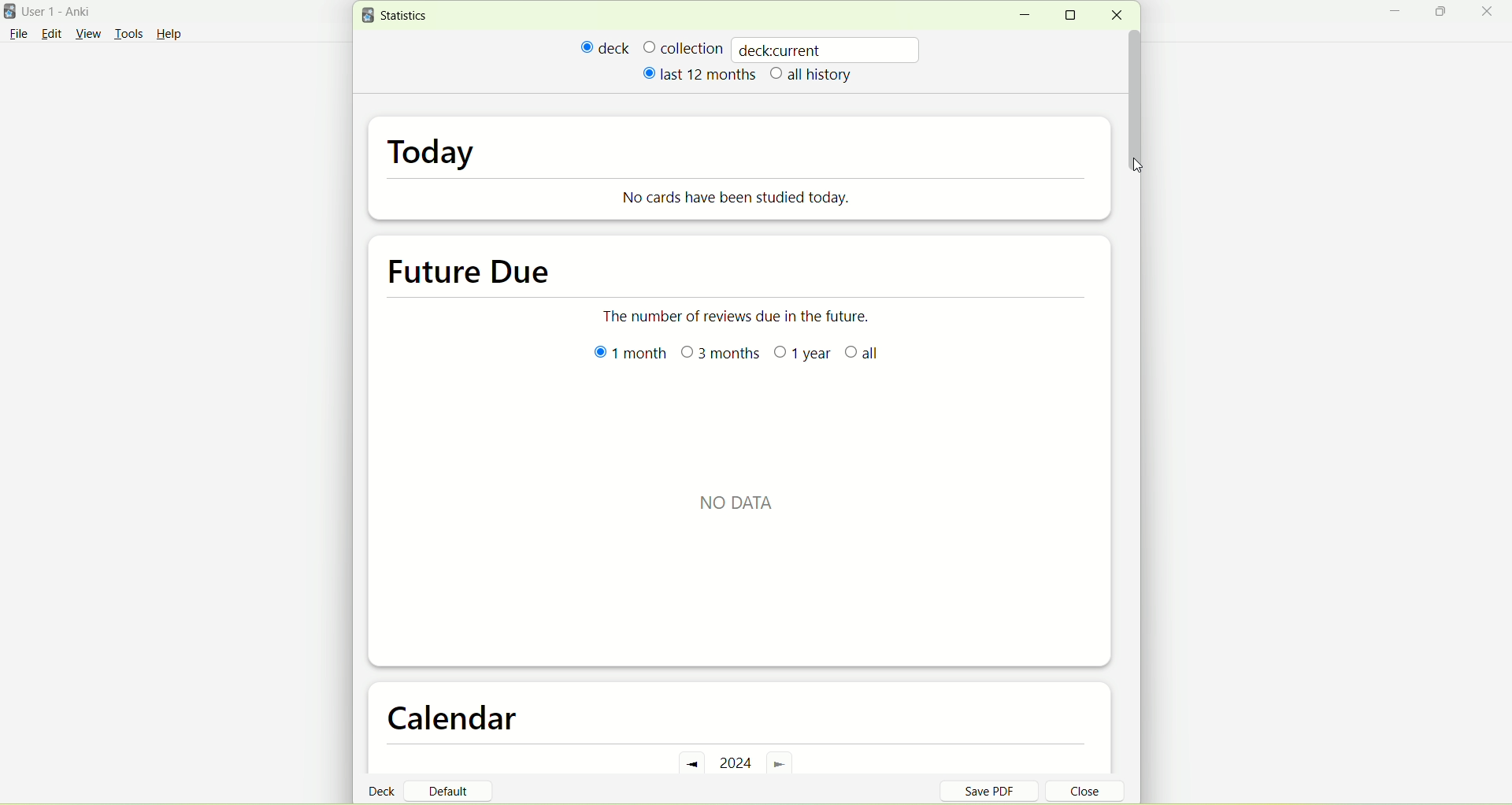  Describe the element at coordinates (1076, 15) in the screenshot. I see `maximize` at that location.